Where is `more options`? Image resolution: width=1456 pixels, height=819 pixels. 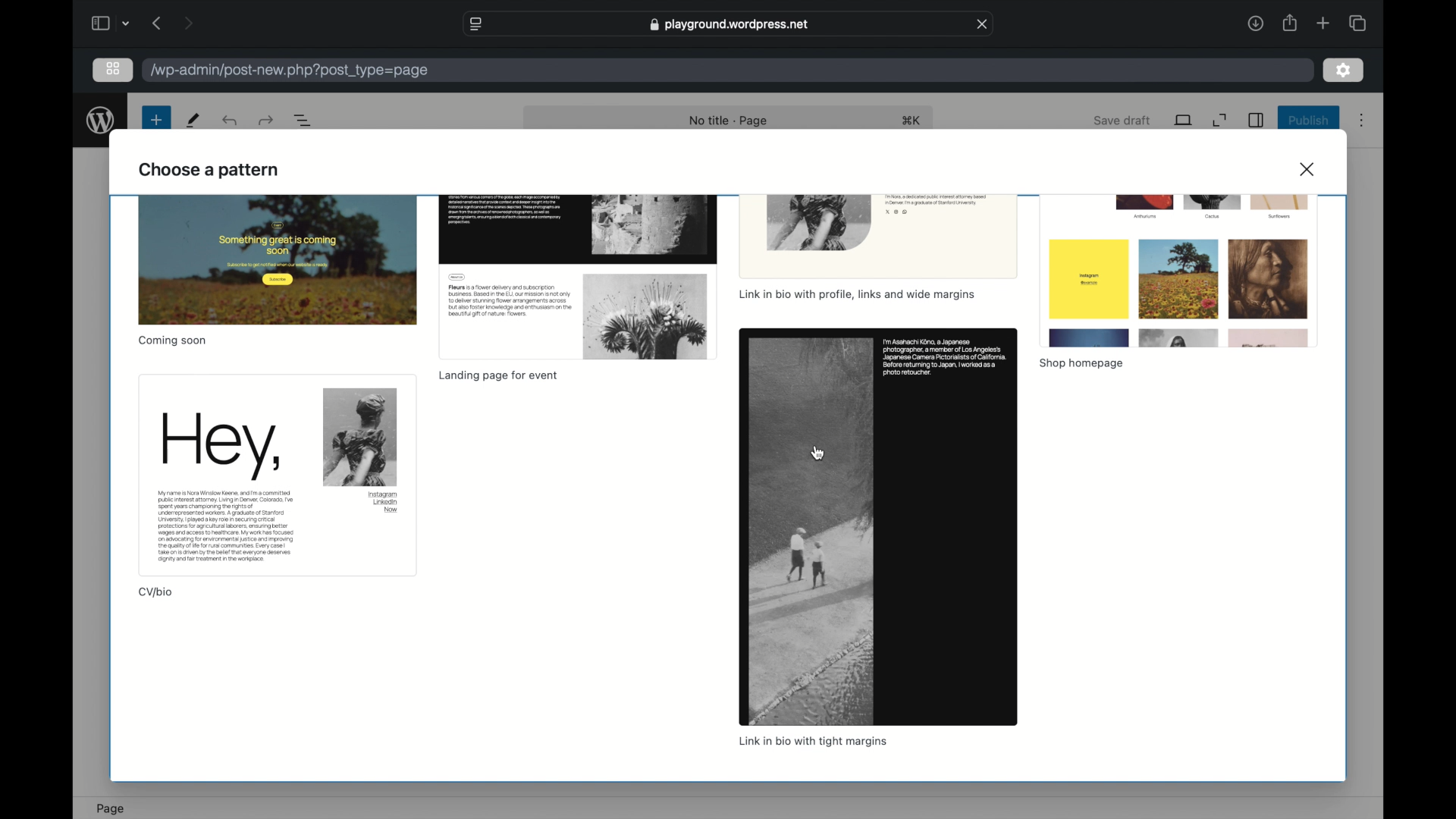
more options is located at coordinates (1362, 121).